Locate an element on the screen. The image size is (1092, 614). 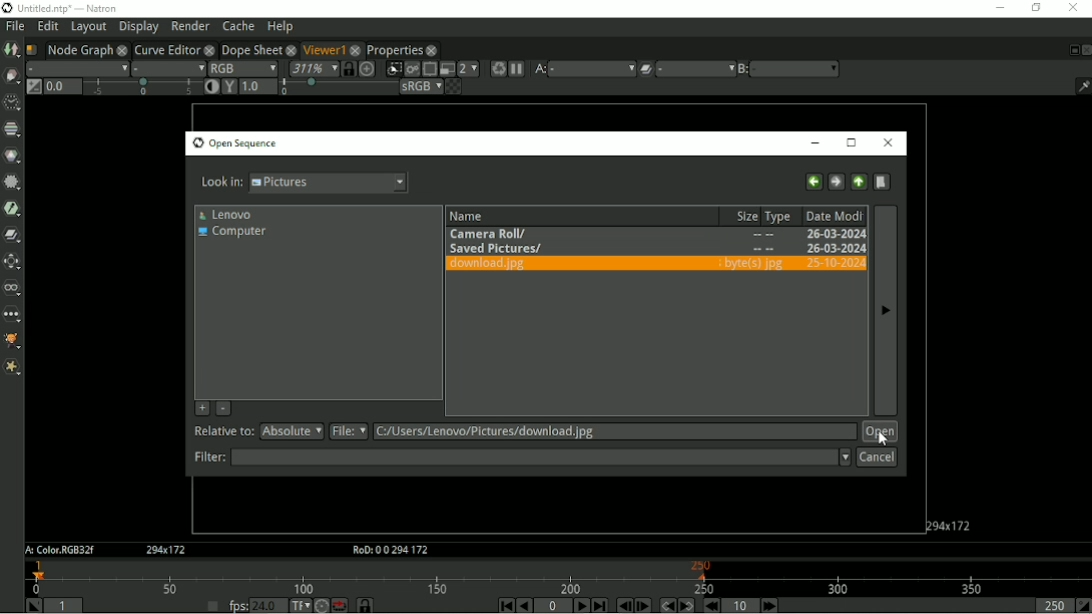
Layout is located at coordinates (88, 27).